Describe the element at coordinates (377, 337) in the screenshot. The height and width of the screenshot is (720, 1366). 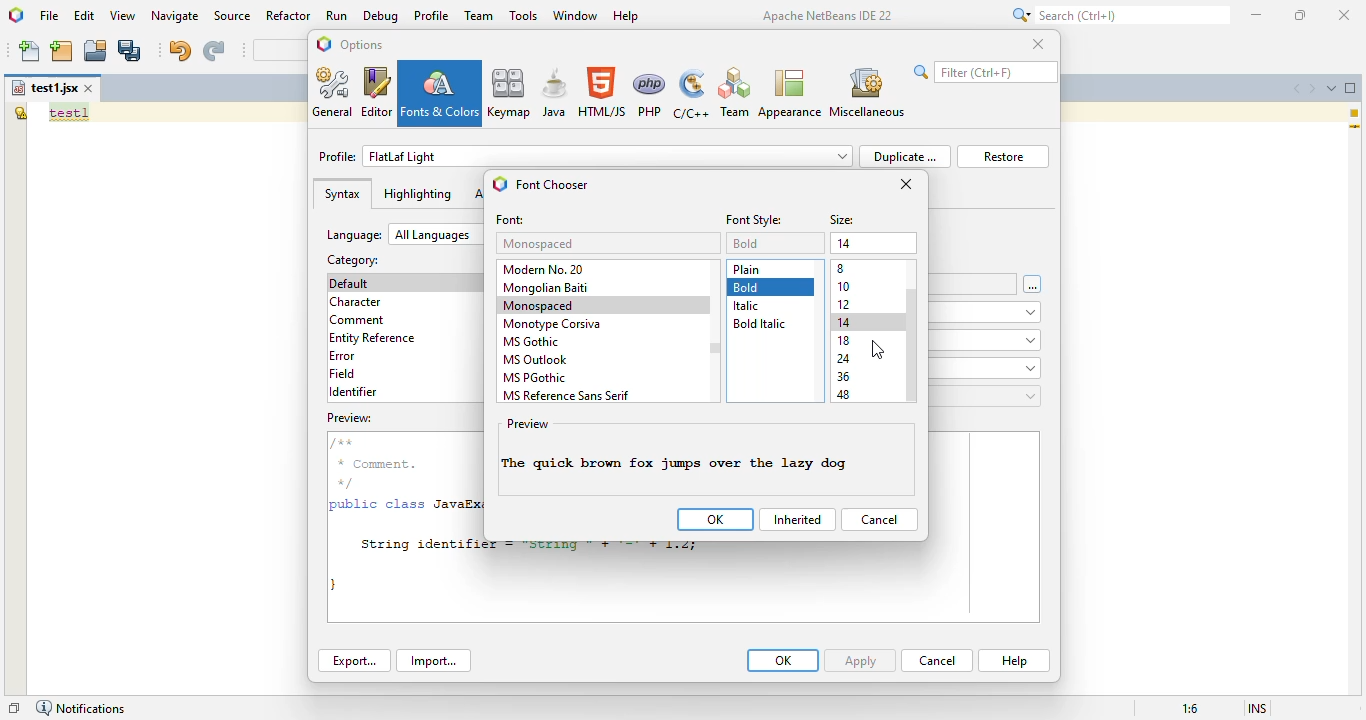
I see `entity reference` at that location.